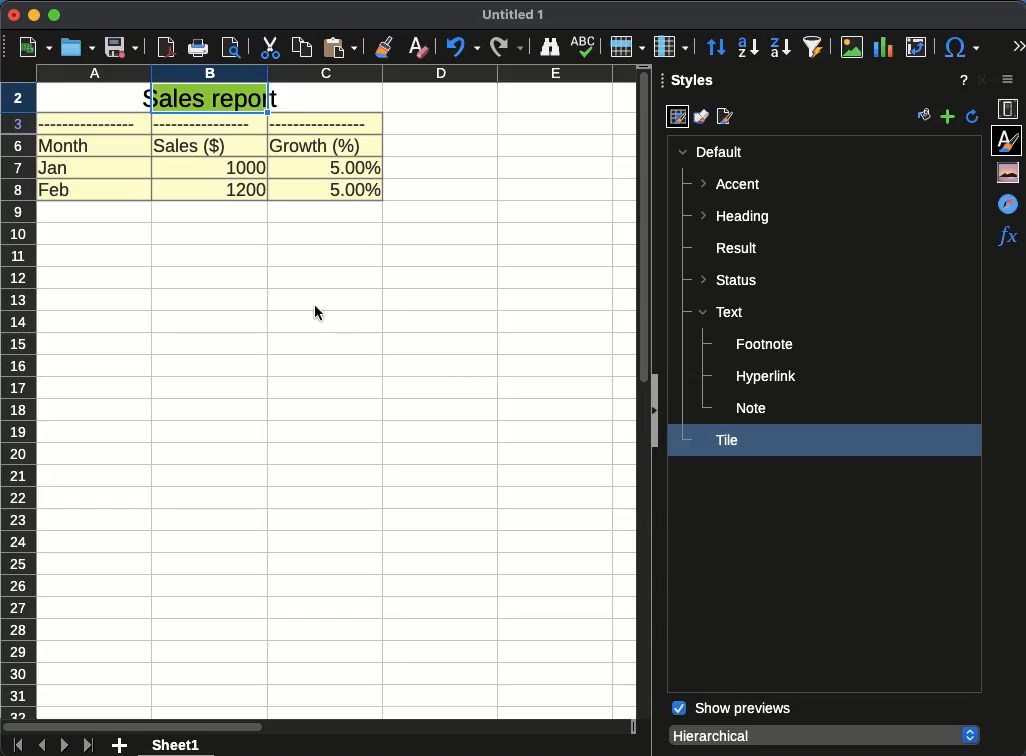 The width and height of the screenshot is (1026, 756). Describe the element at coordinates (31, 48) in the screenshot. I see `new` at that location.